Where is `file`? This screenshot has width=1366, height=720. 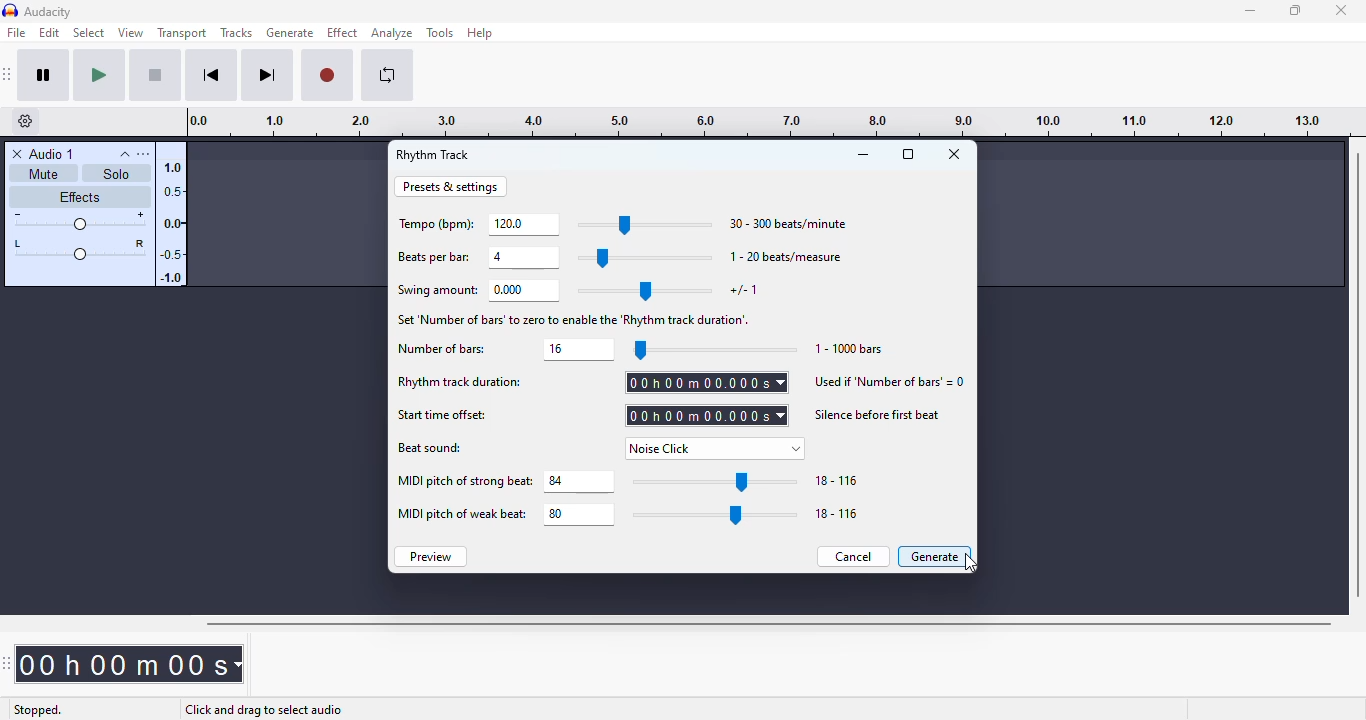 file is located at coordinates (16, 31).